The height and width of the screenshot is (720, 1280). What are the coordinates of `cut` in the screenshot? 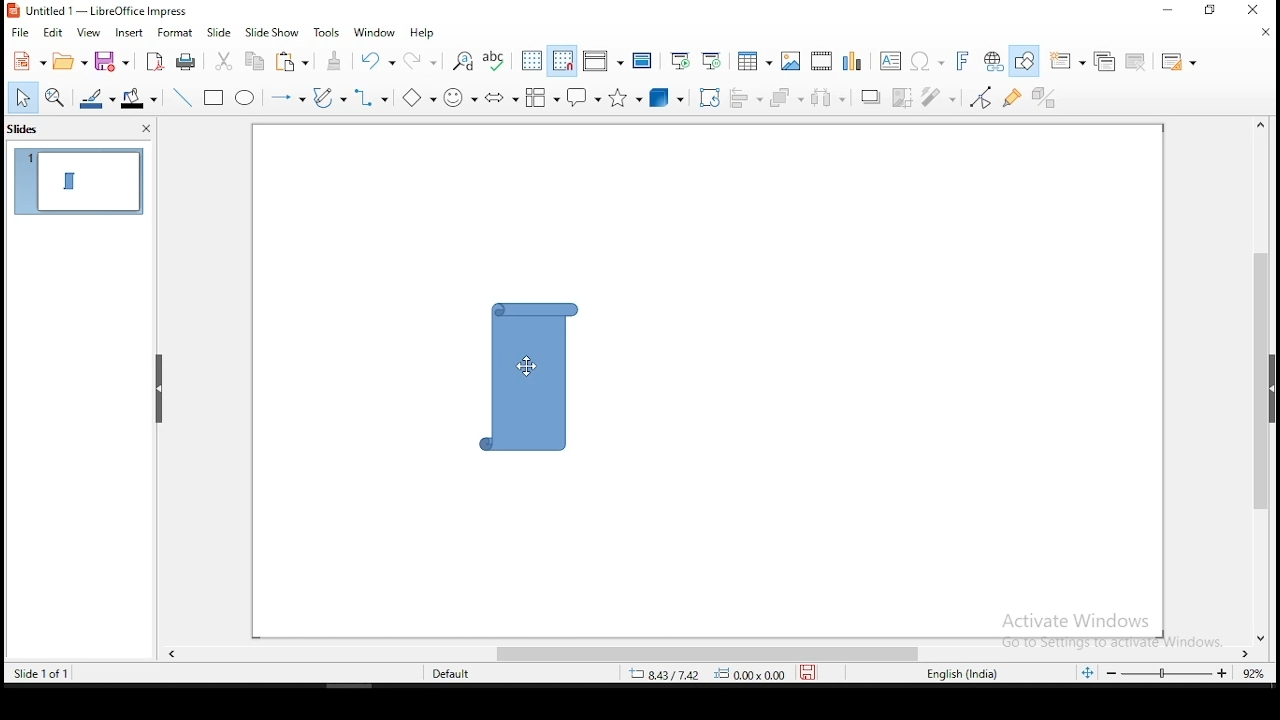 It's located at (224, 60).